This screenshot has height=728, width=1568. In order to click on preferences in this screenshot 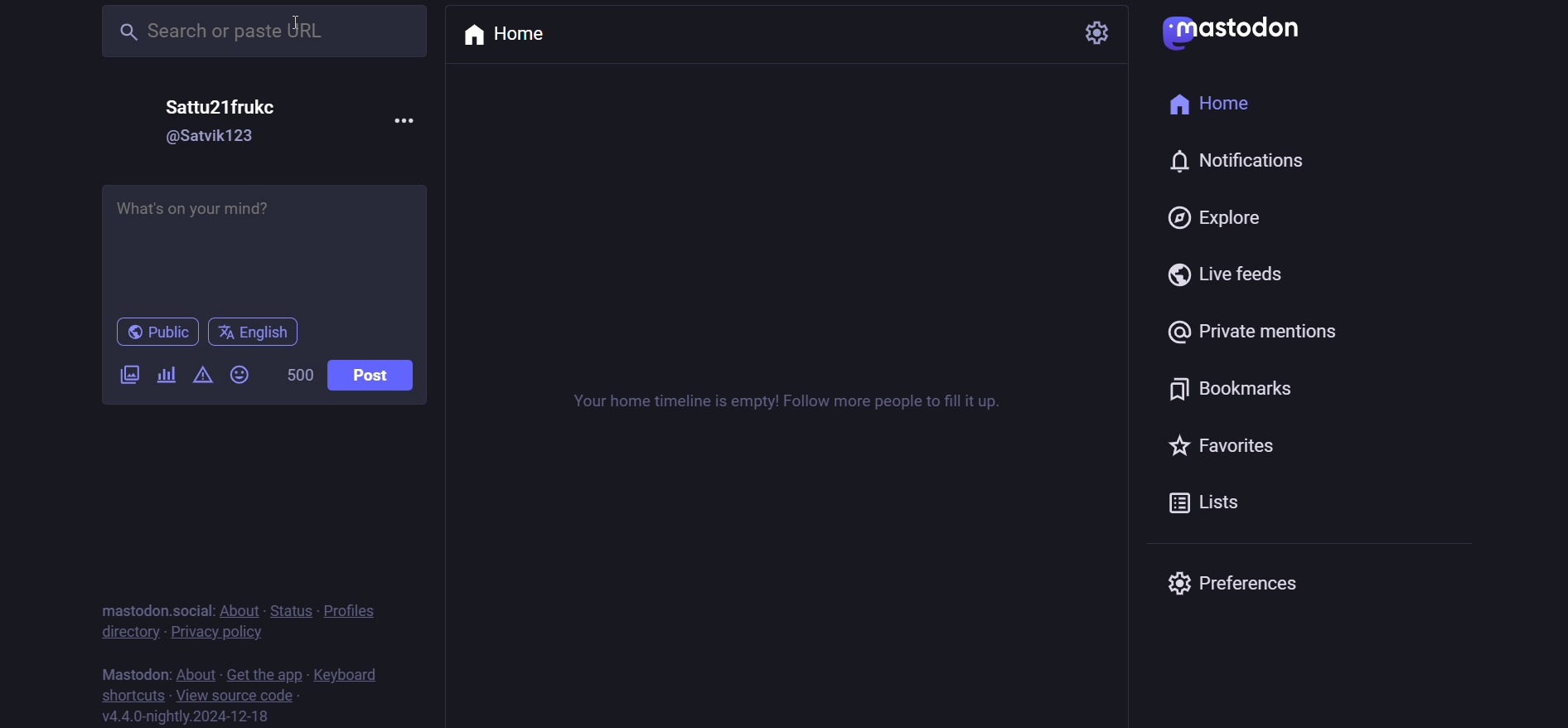, I will do `click(1230, 584)`.